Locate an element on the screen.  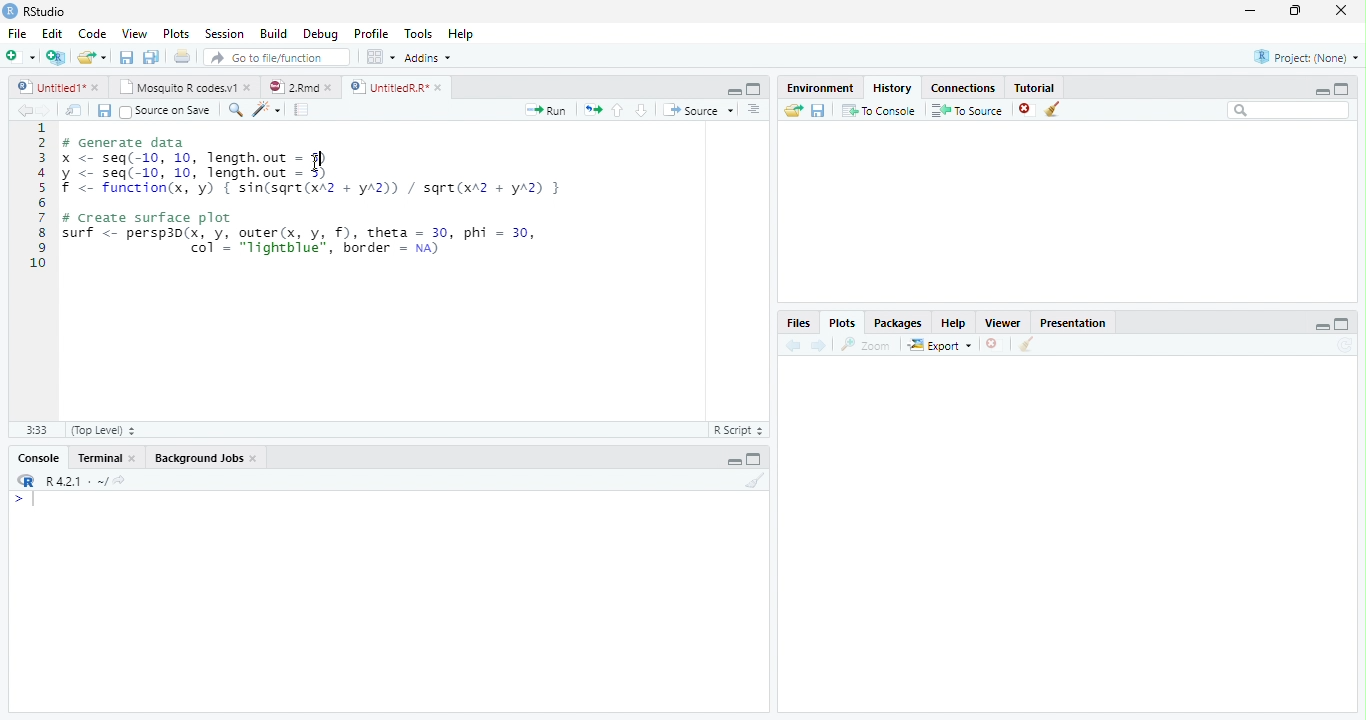
2.Rmd is located at coordinates (292, 86).